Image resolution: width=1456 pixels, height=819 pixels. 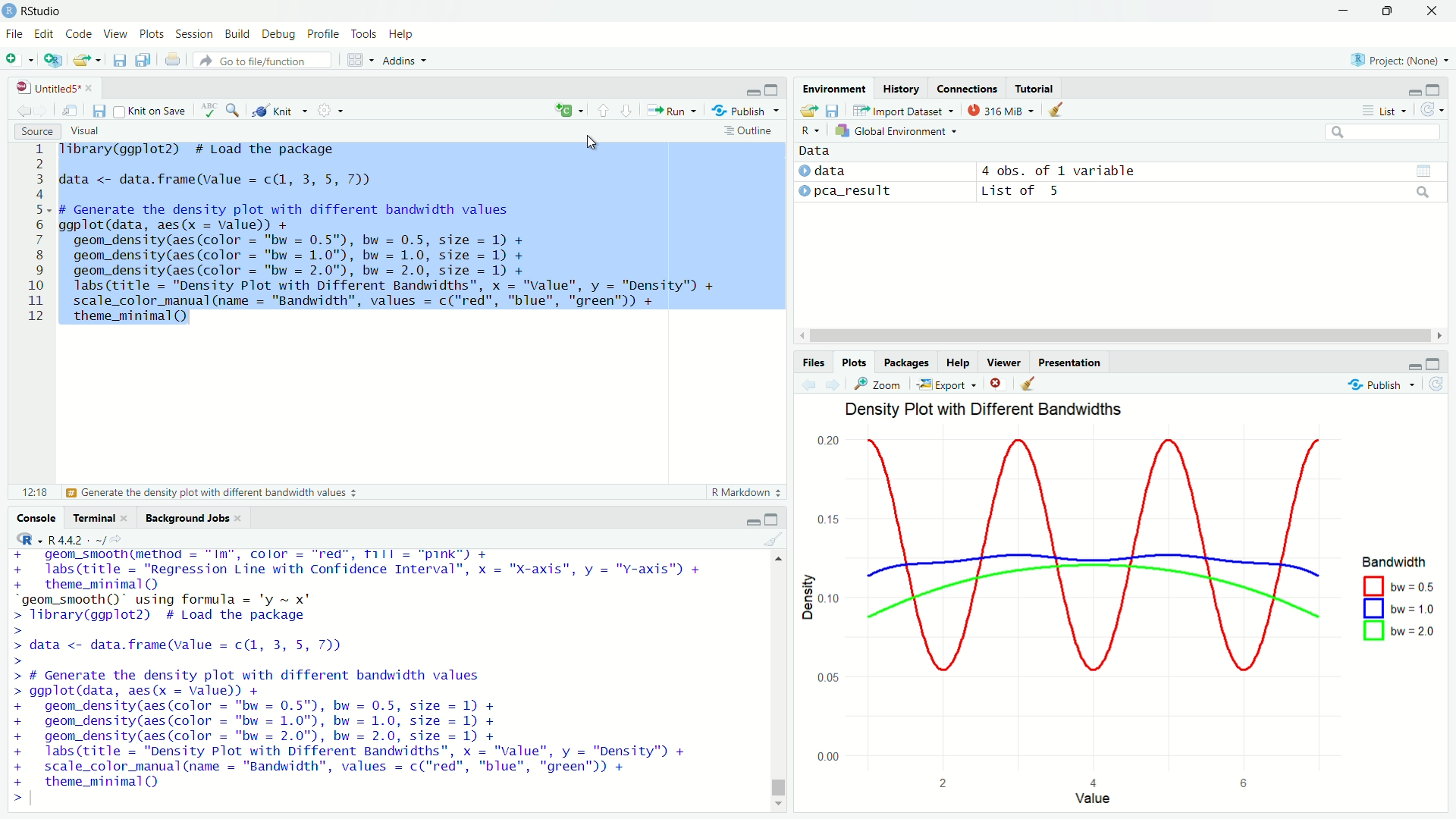 I want to click on Zoom, so click(x=878, y=384).